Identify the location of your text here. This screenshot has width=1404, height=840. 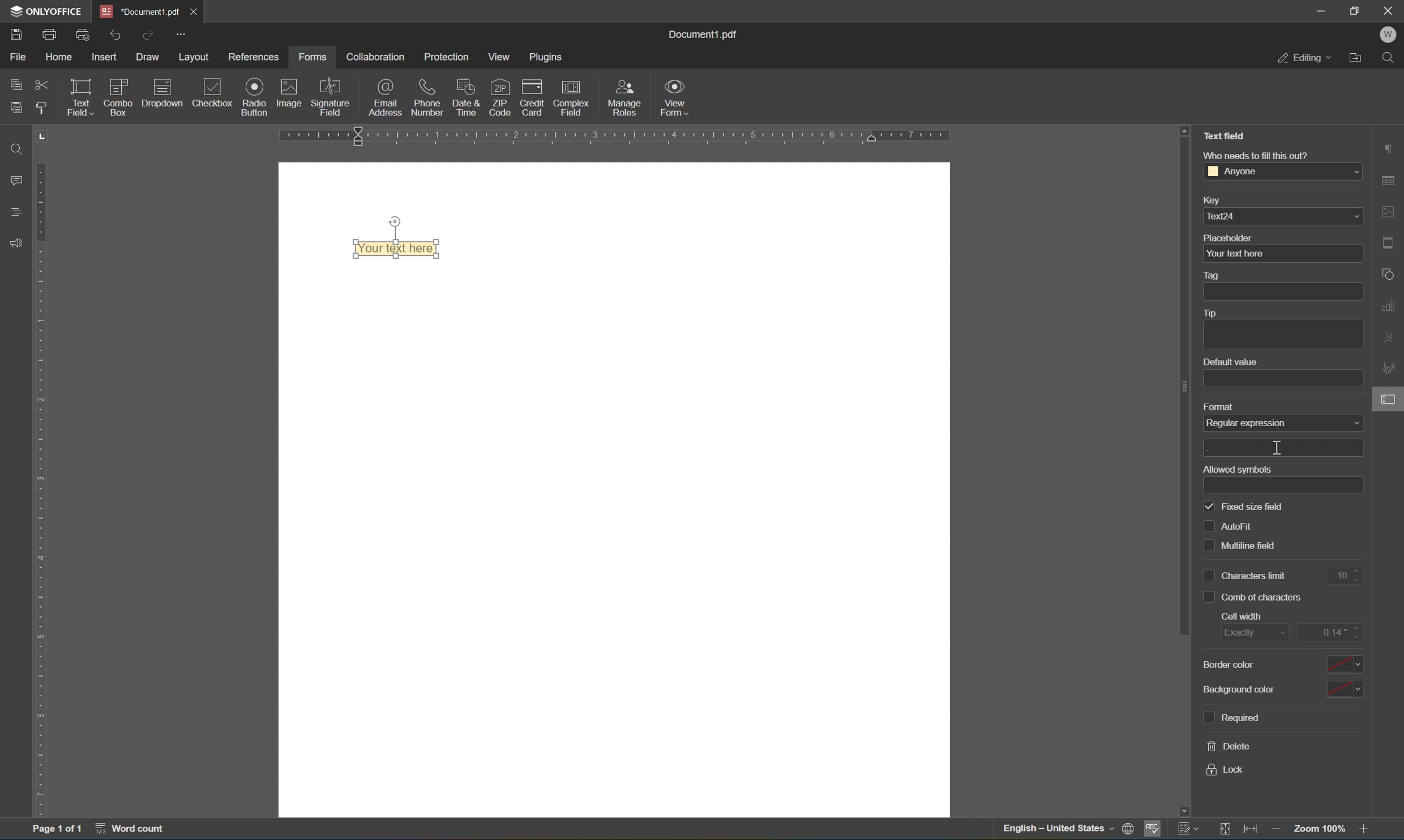
(1282, 254).